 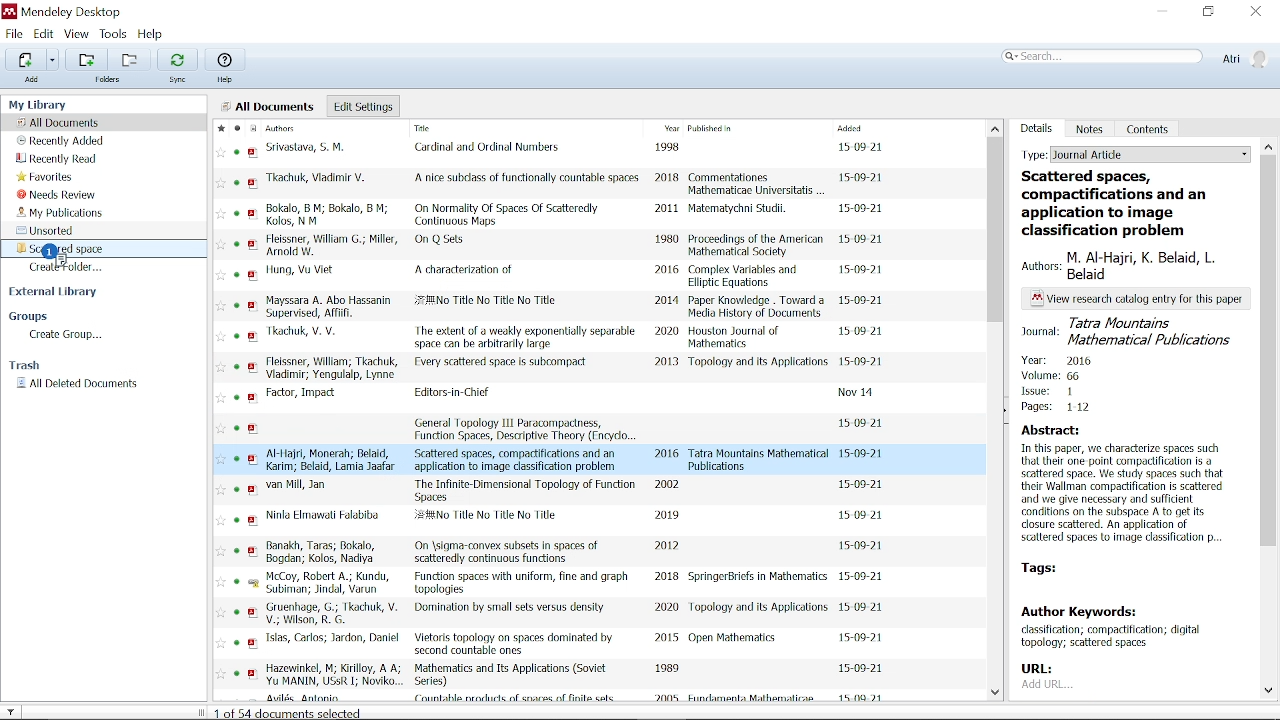 I want to click on authors, so click(x=297, y=486).